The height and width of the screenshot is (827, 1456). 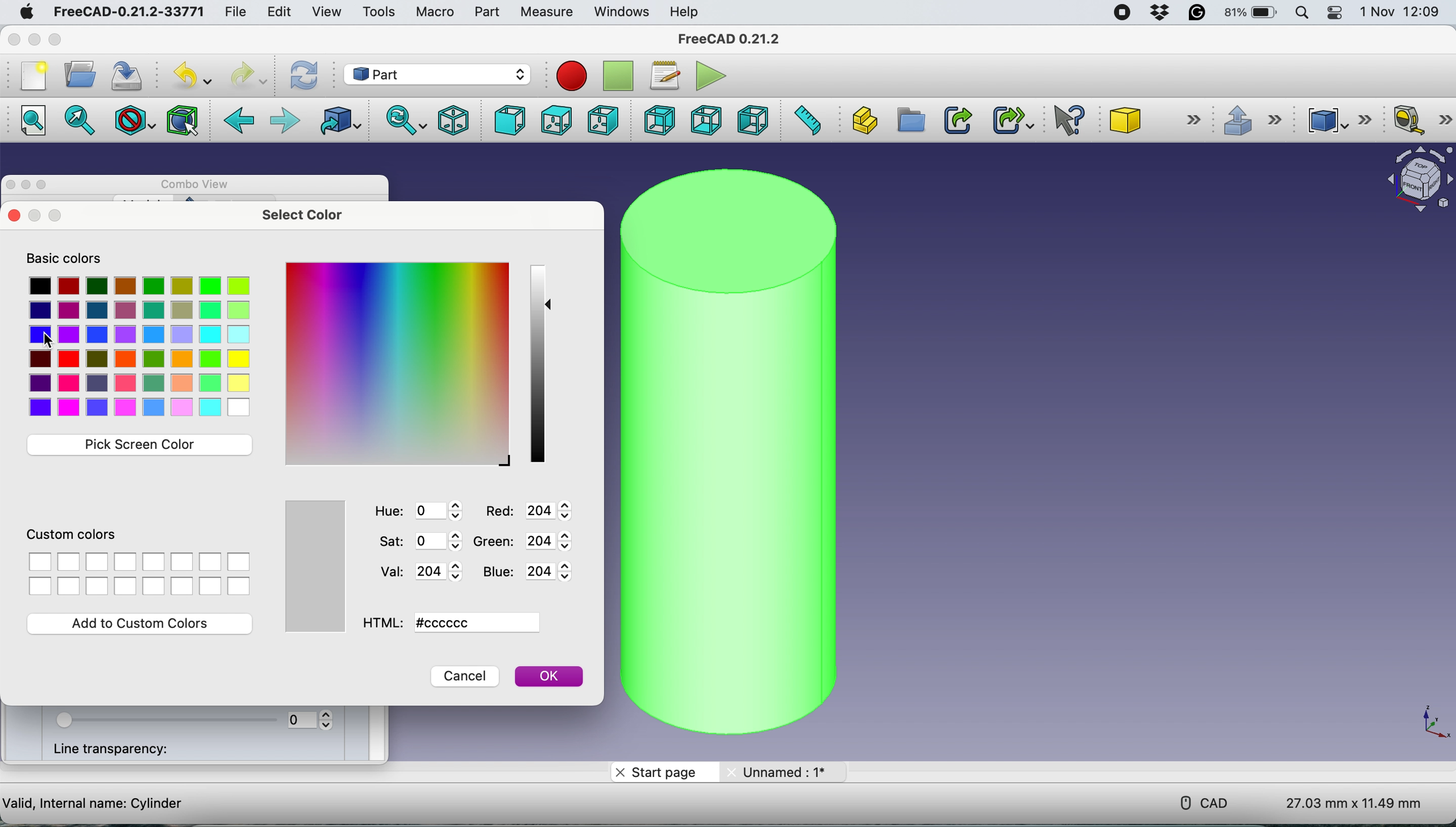 What do you see at coordinates (119, 751) in the screenshot?
I see `line transparency` at bounding box center [119, 751].